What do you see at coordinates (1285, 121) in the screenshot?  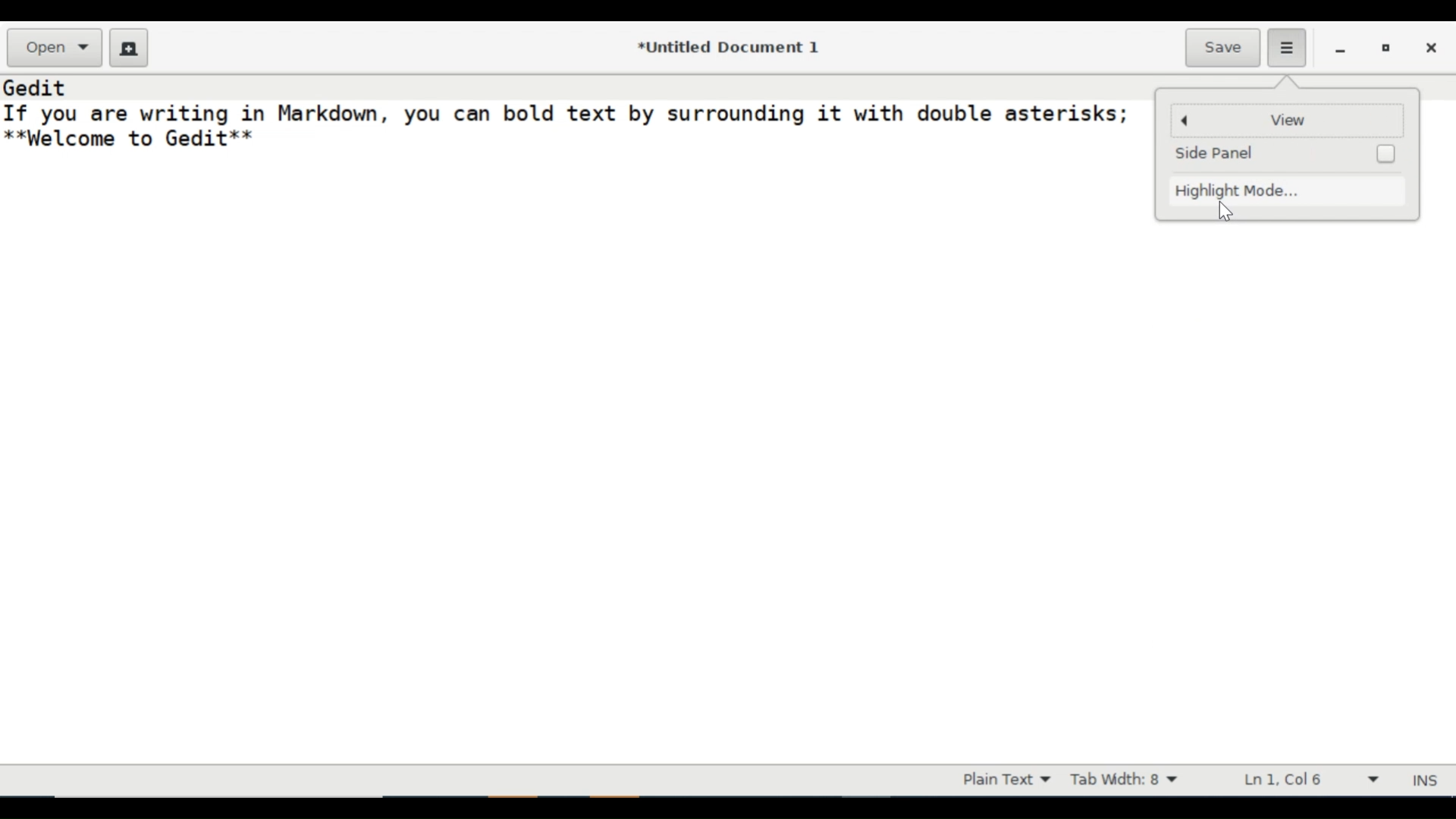 I see `View` at bounding box center [1285, 121].